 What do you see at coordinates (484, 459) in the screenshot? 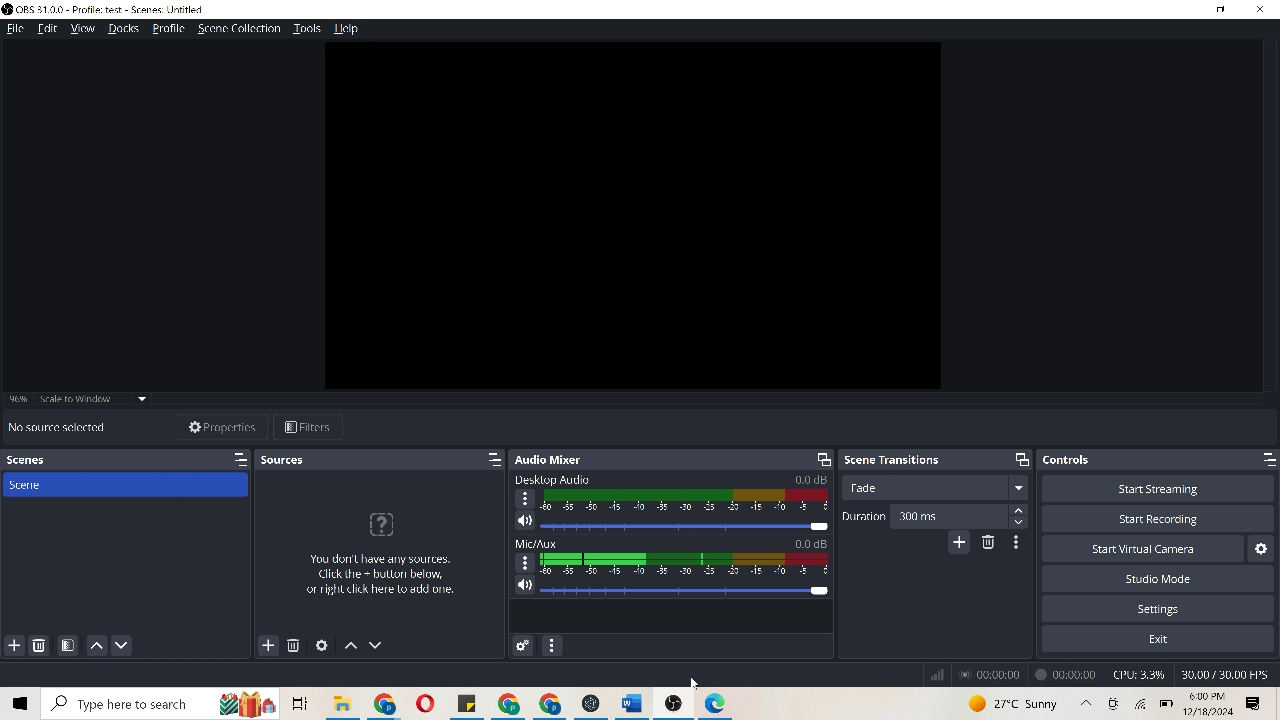
I see `maximize` at bounding box center [484, 459].